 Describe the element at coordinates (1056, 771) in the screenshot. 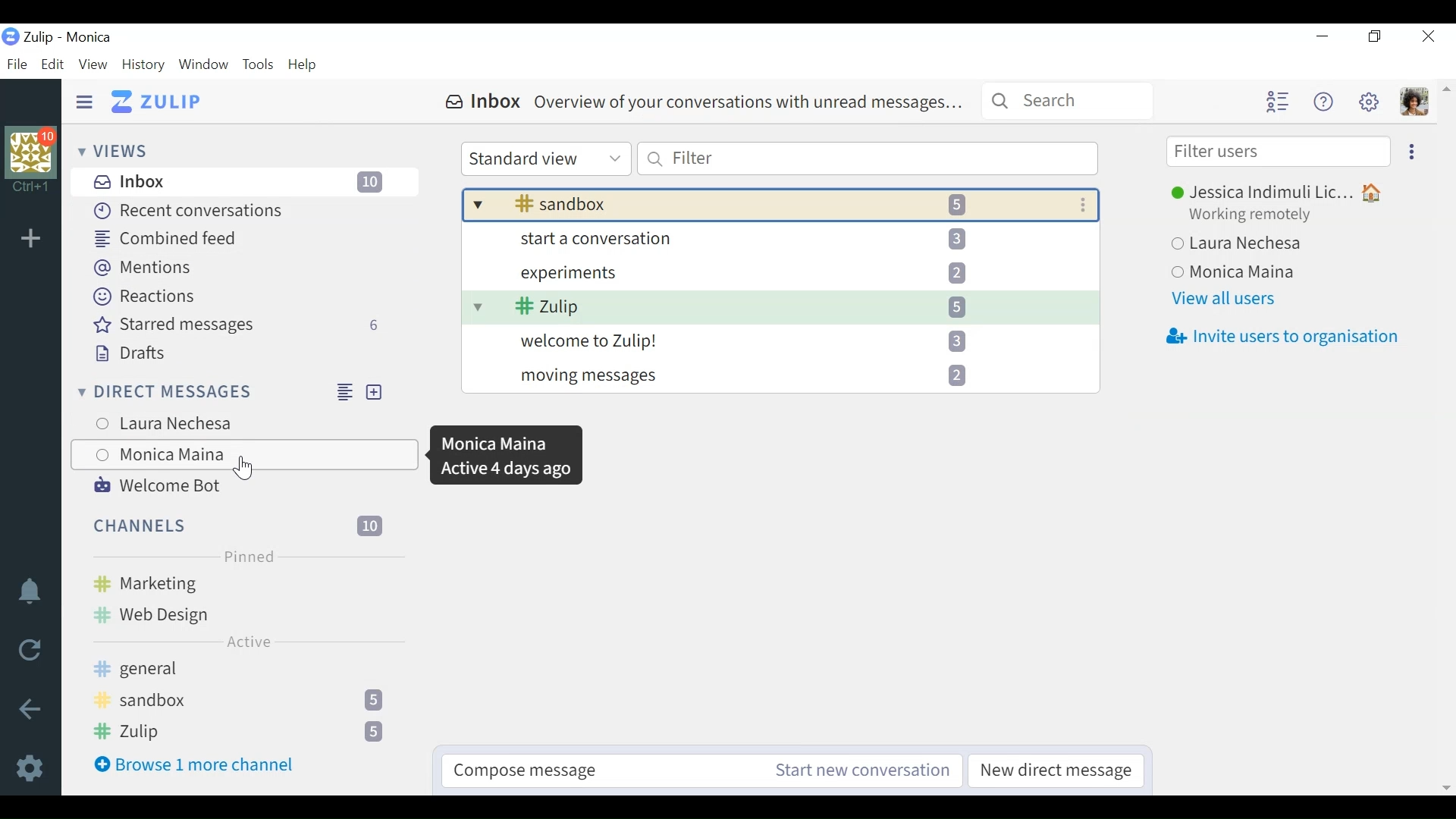

I see `New direct messages` at that location.